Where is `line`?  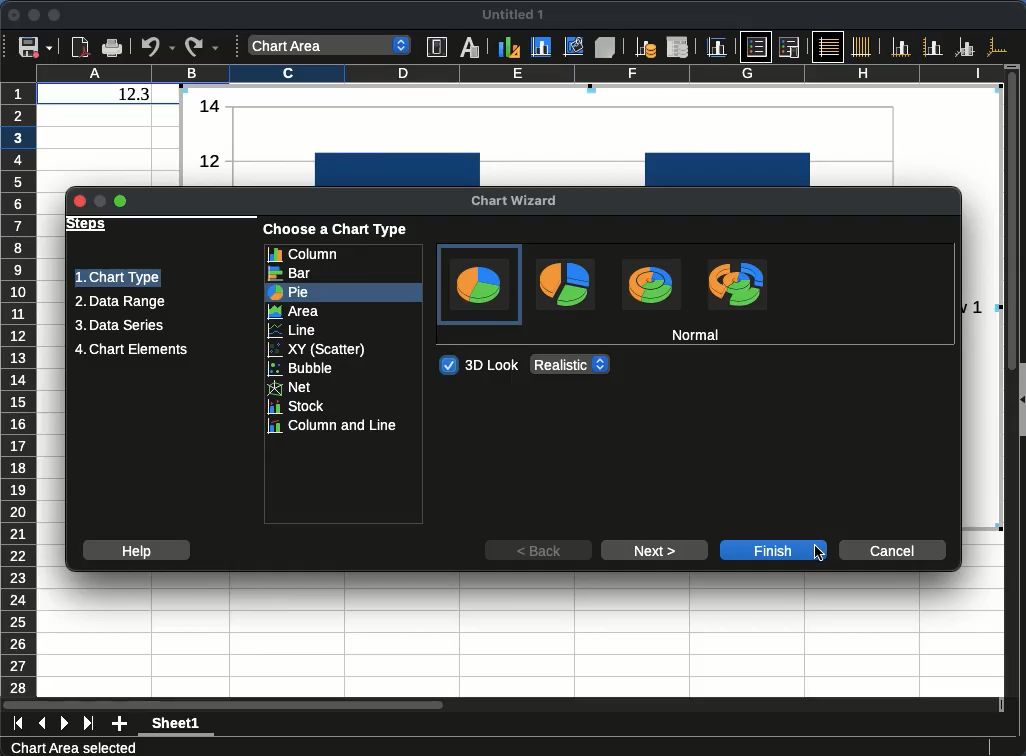 line is located at coordinates (344, 331).